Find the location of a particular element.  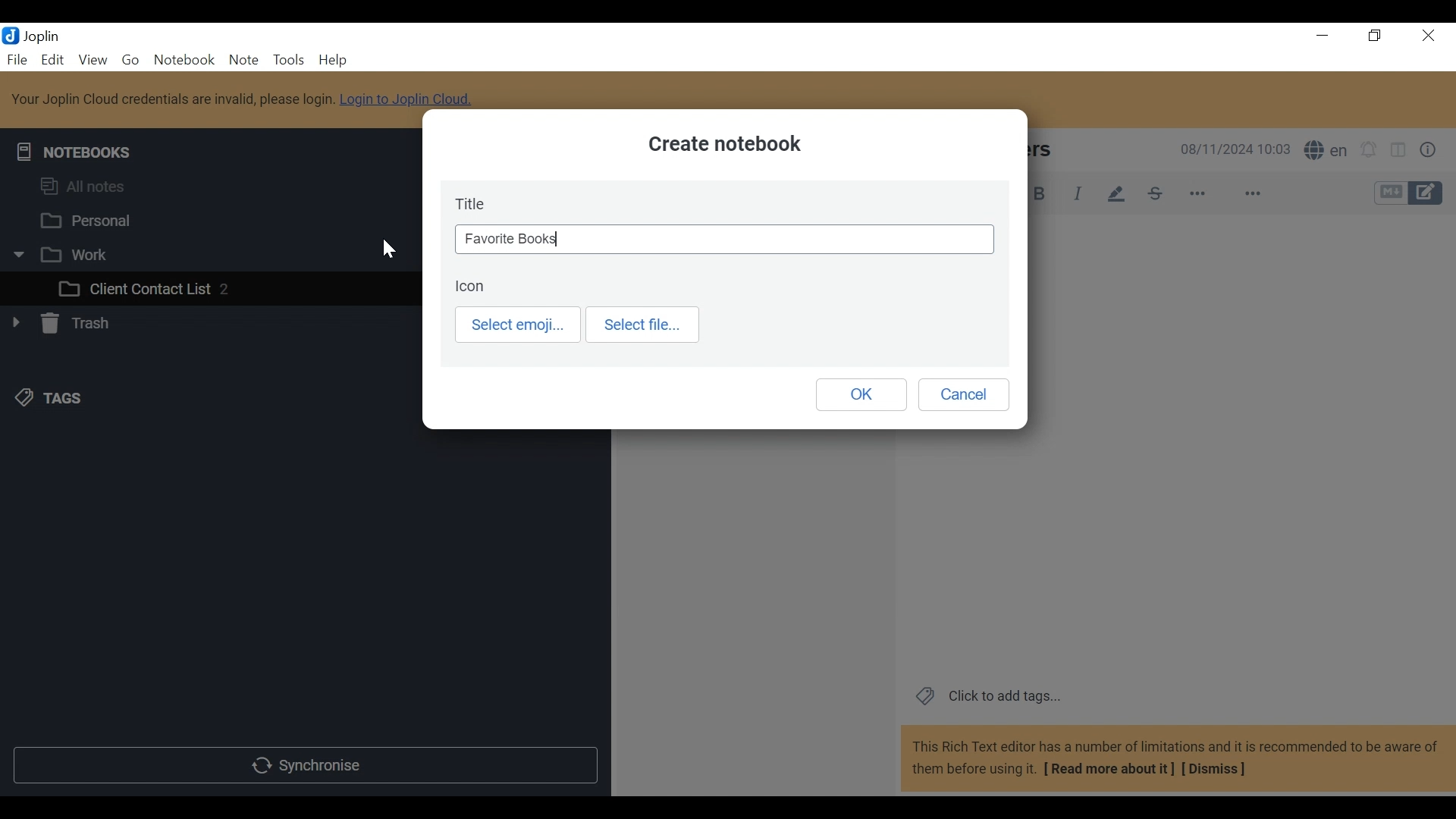

S is located at coordinates (1326, 151).